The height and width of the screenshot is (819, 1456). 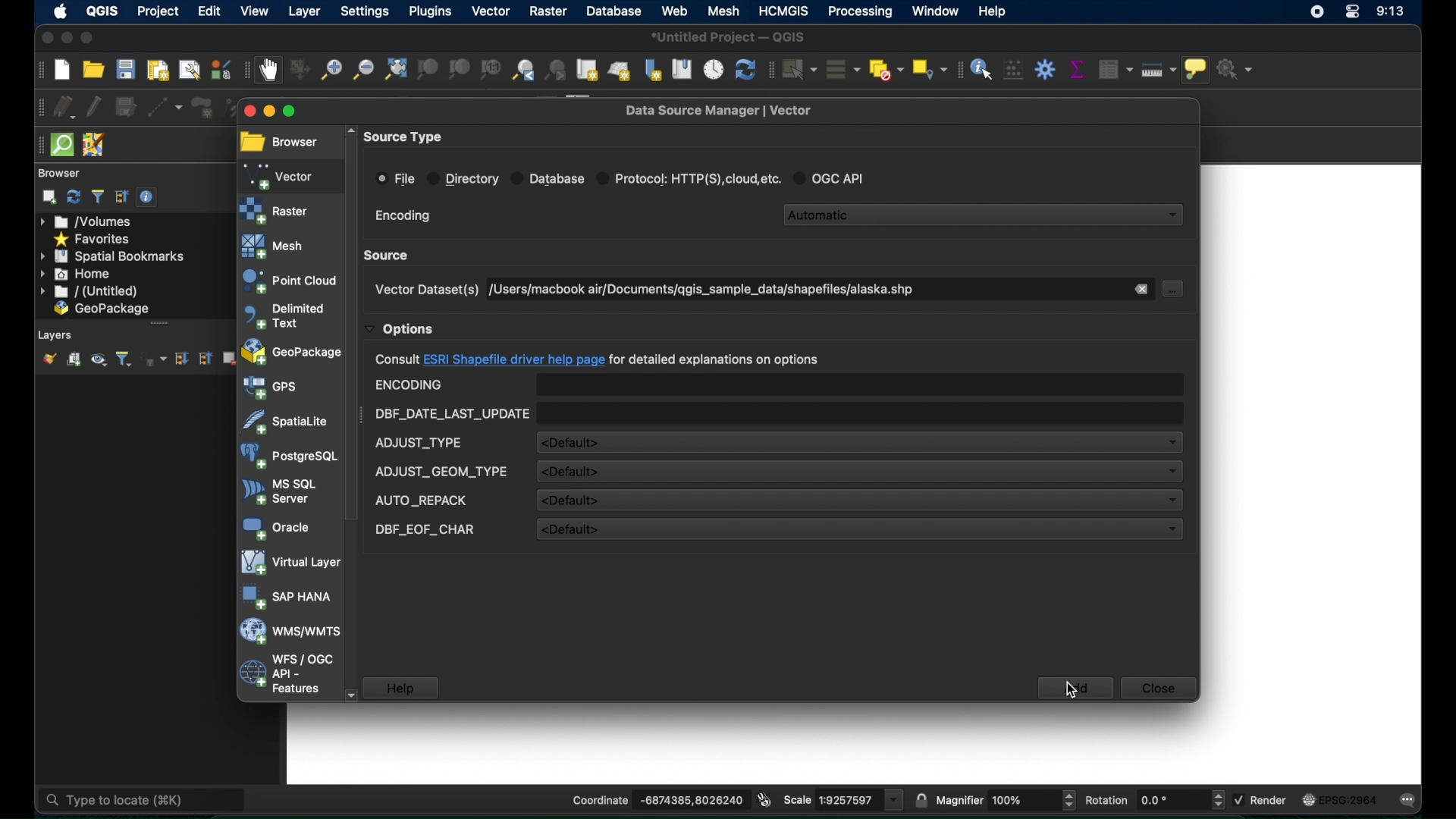 I want to click on default drop-down, so click(x=857, y=471).